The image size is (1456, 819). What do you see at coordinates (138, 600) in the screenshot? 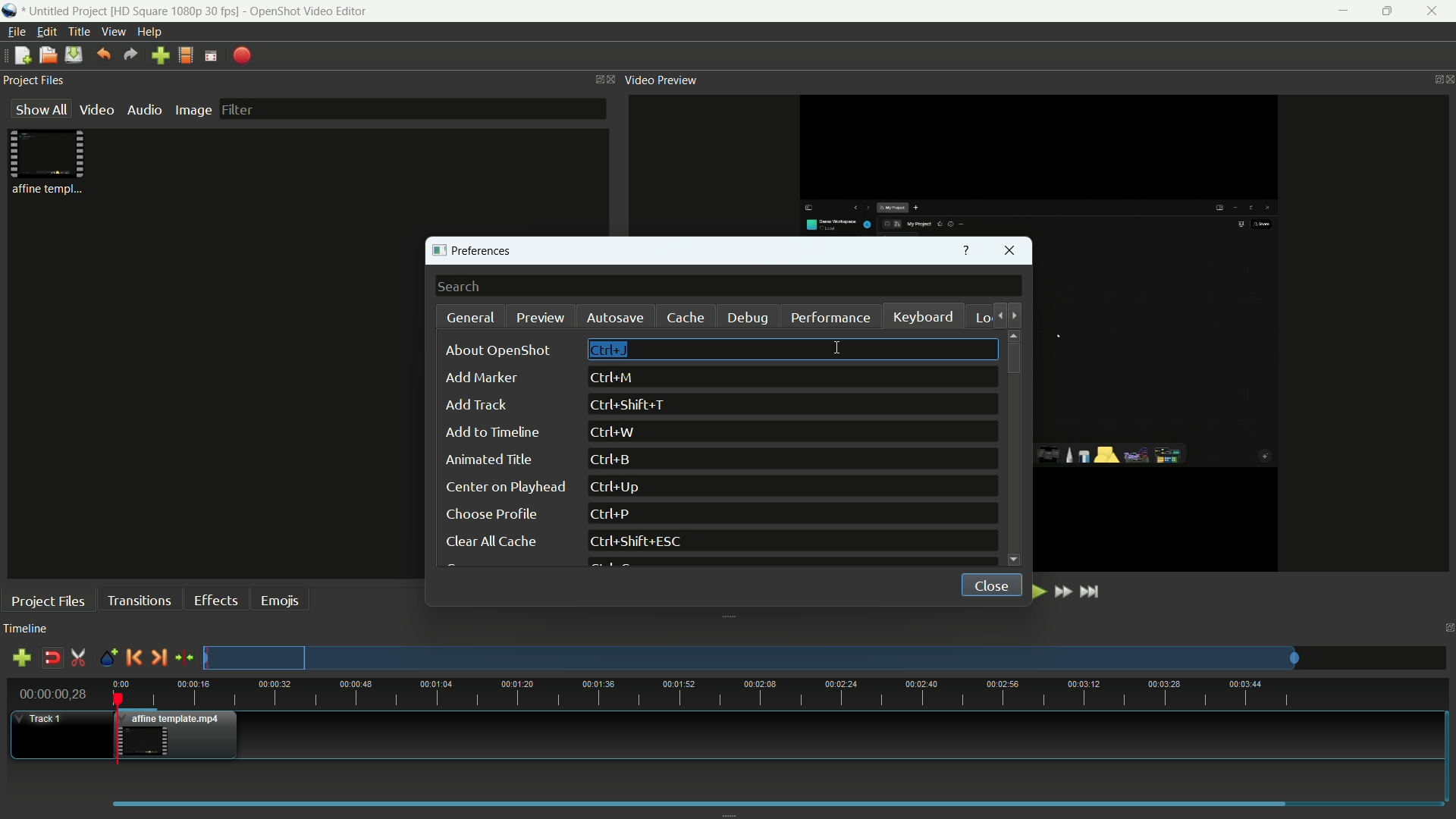
I see `transitions` at bounding box center [138, 600].